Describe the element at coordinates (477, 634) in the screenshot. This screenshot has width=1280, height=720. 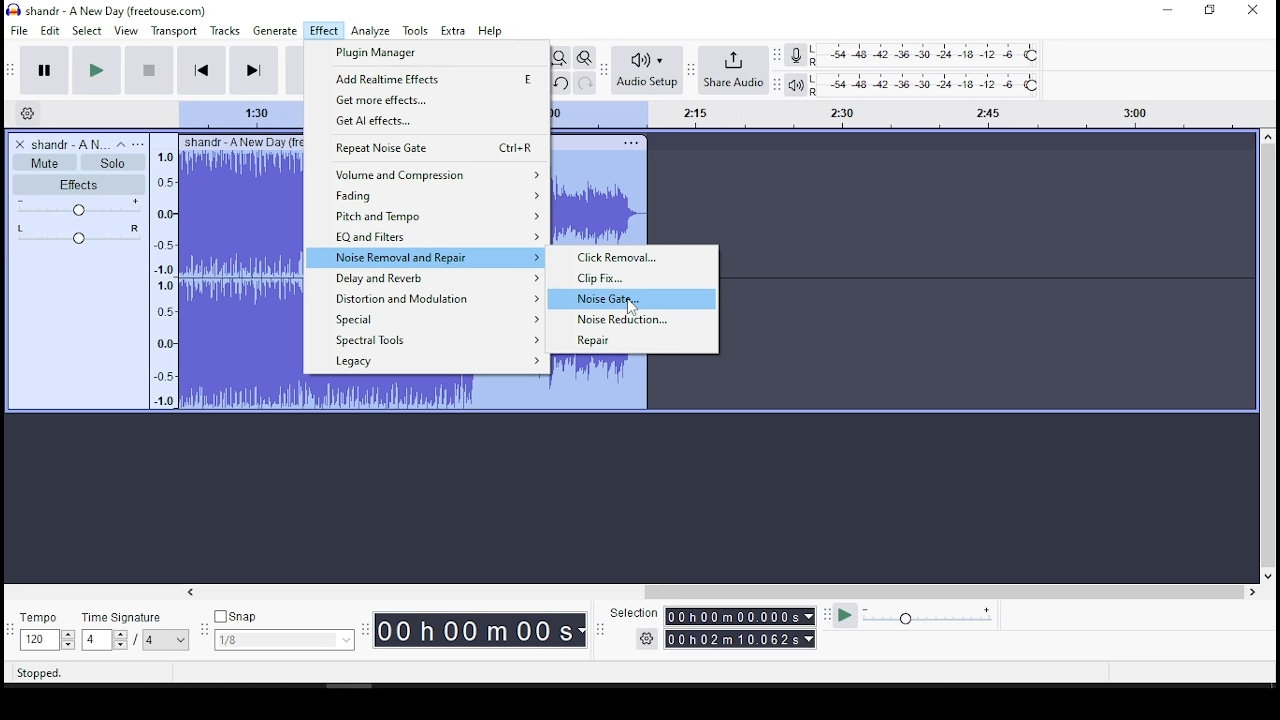
I see `Timer` at that location.